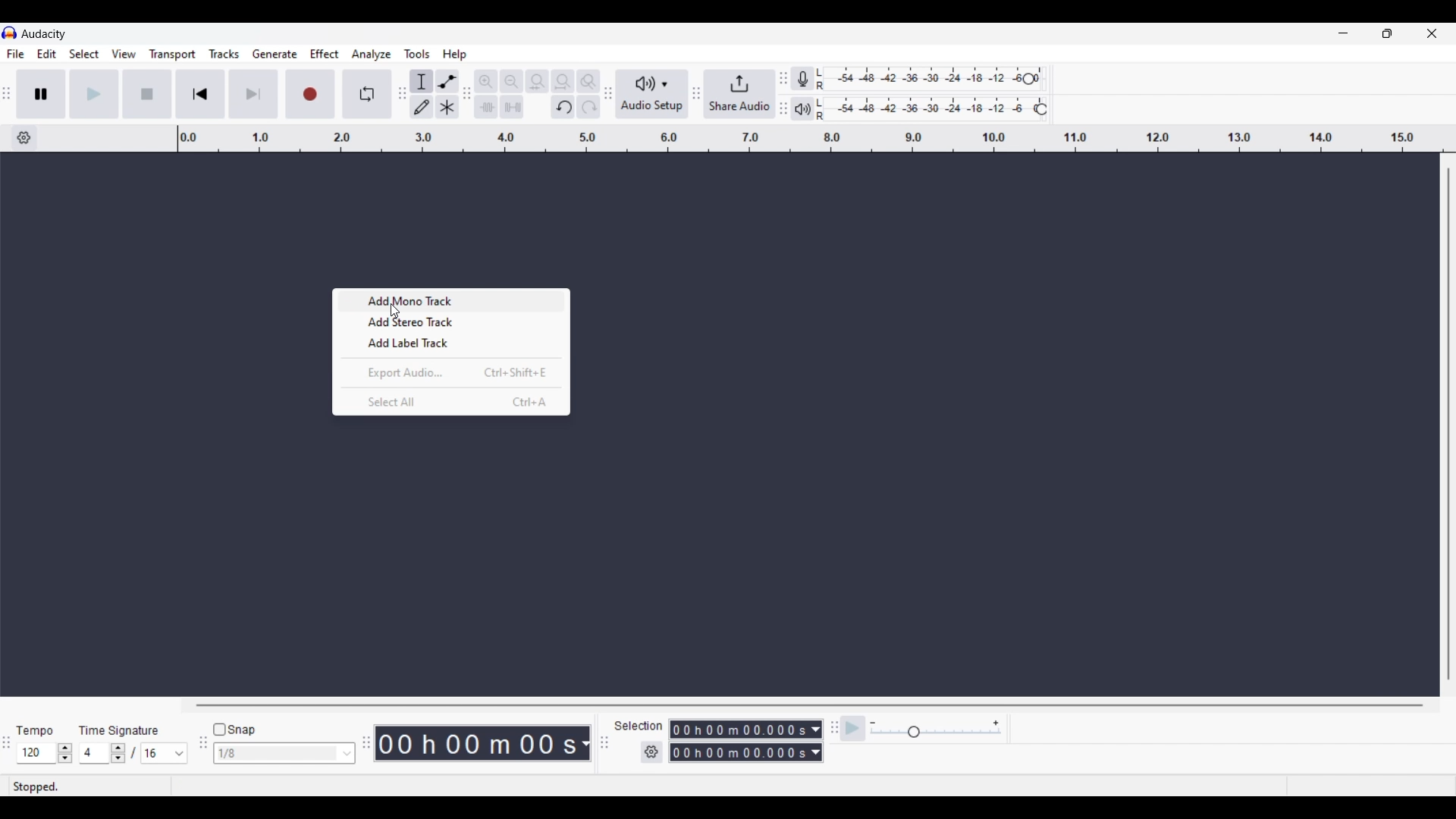 This screenshot has width=1456, height=819. What do you see at coordinates (89, 786) in the screenshot?
I see `Status of recording` at bounding box center [89, 786].